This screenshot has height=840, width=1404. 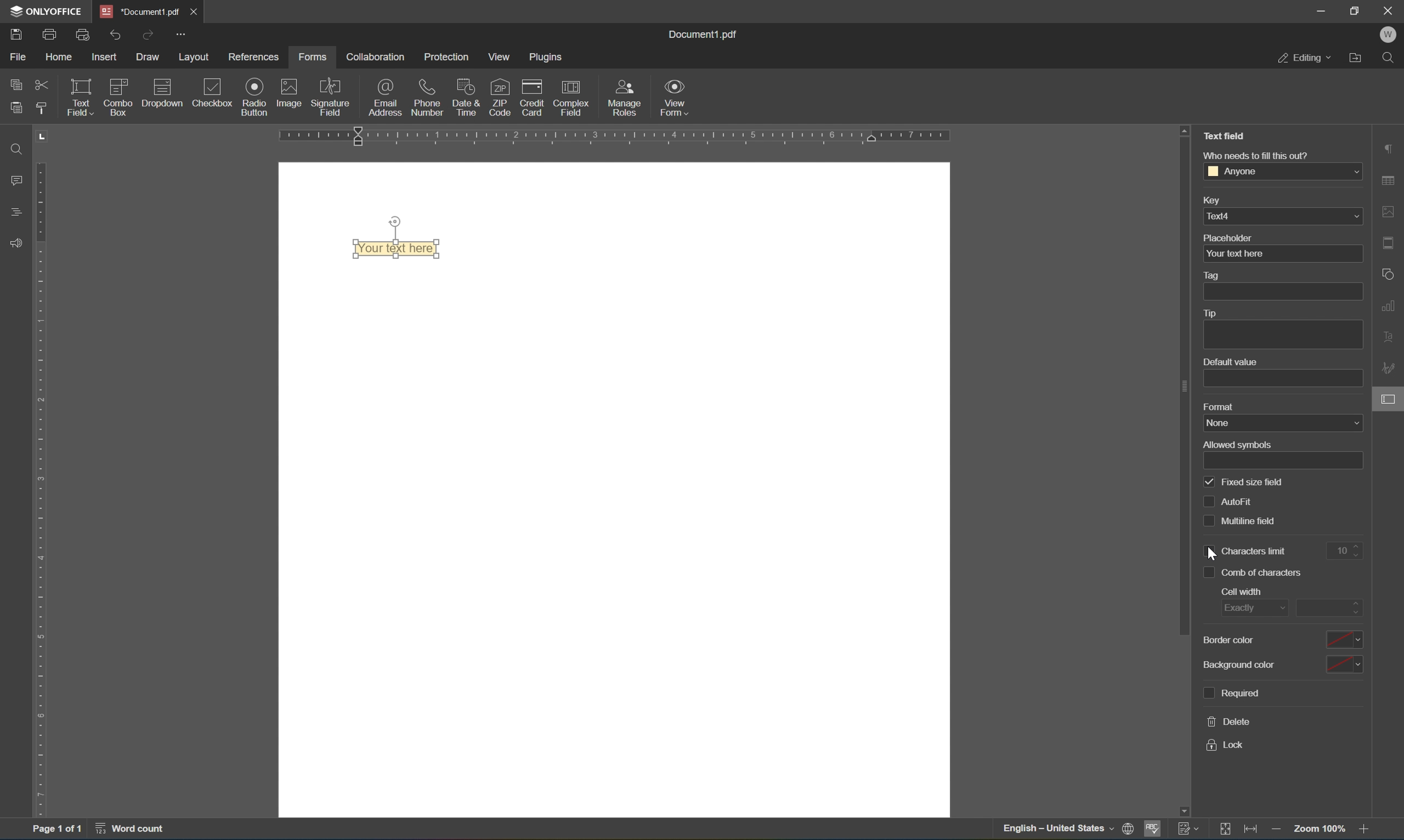 I want to click on paragraph settings, so click(x=1389, y=148).